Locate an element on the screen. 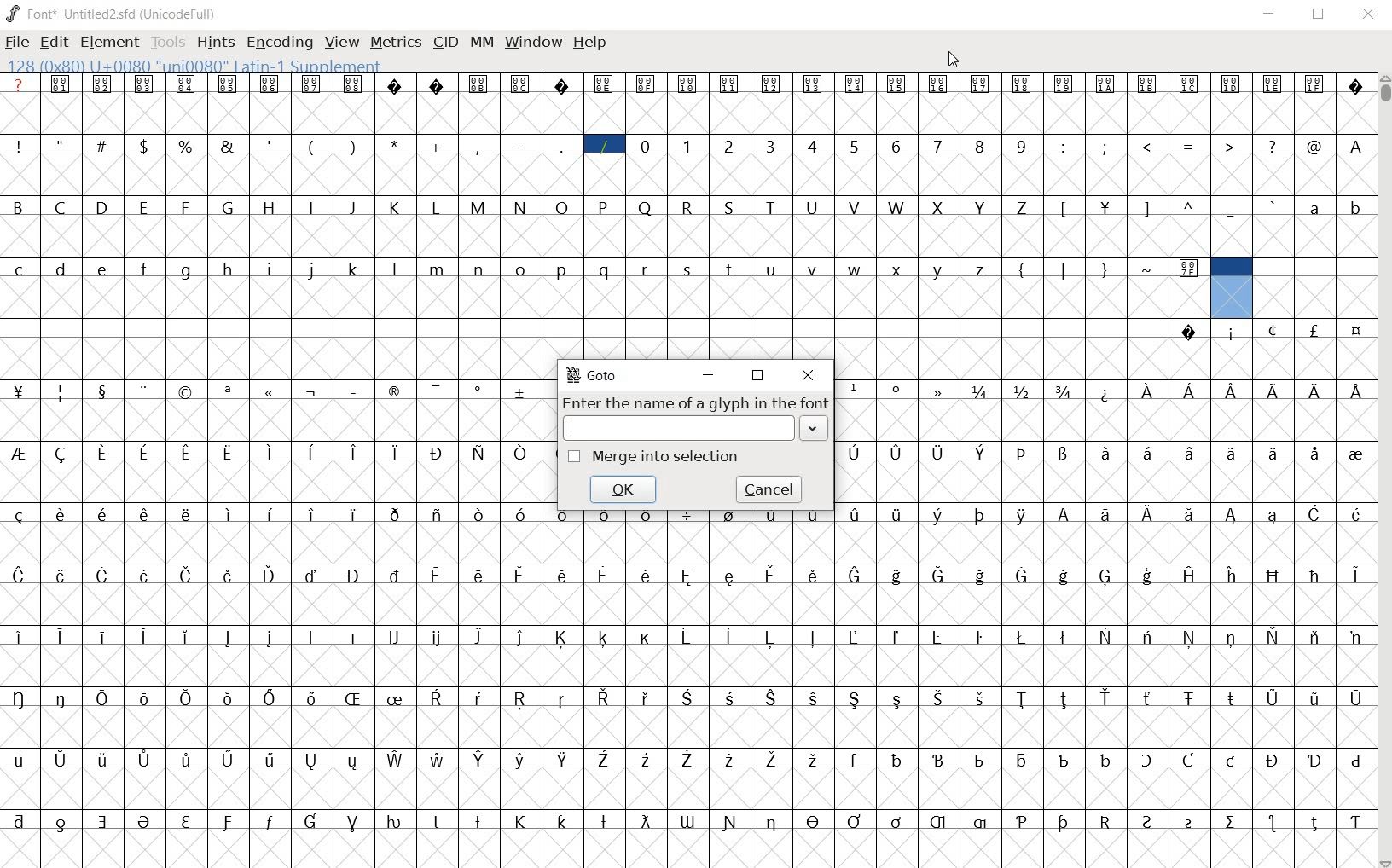 Image resolution: width=1392 pixels, height=868 pixels. Symbol is located at coordinates (1314, 329).